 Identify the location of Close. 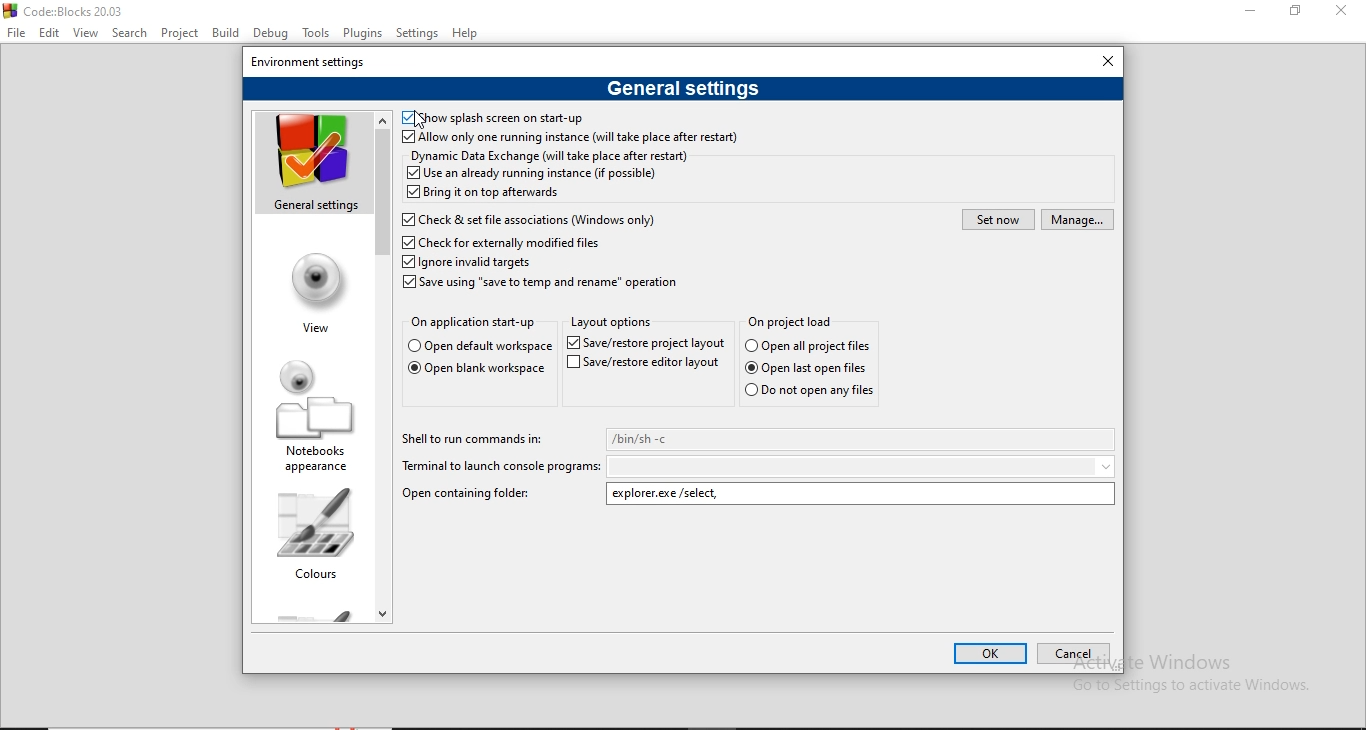
(1342, 11).